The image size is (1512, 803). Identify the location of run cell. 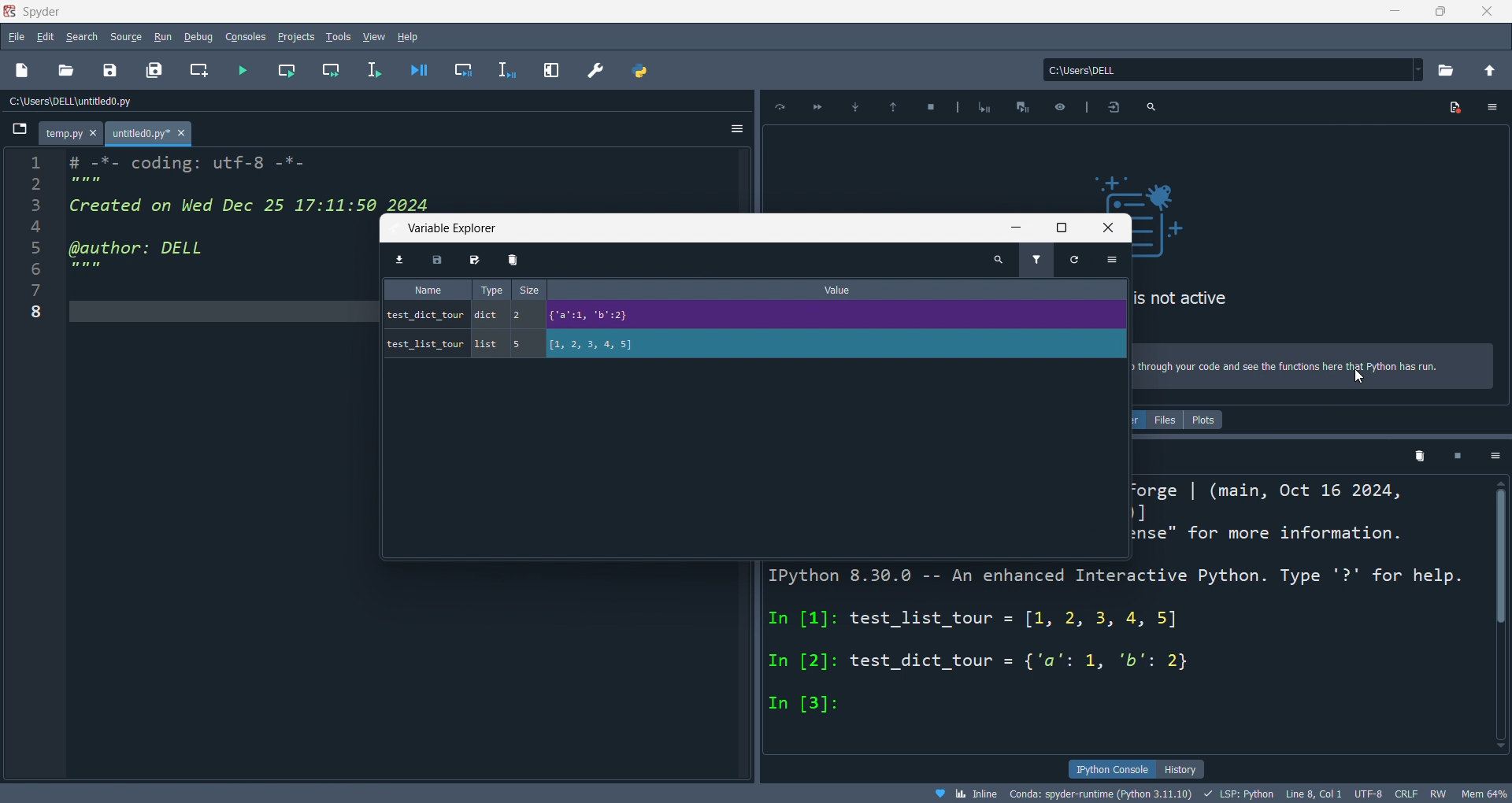
(287, 71).